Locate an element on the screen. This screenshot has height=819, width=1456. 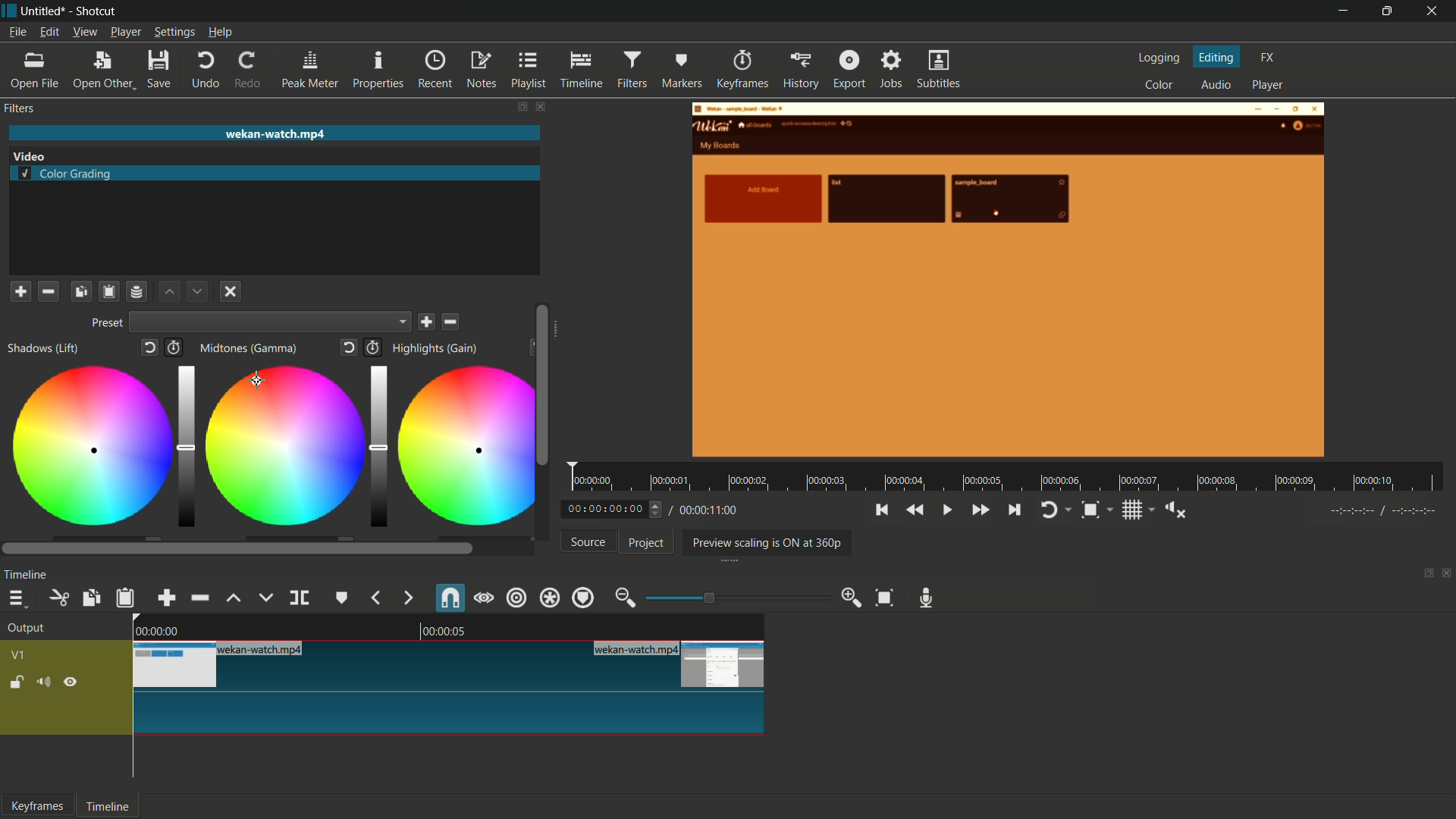
save filter set is located at coordinates (139, 292).